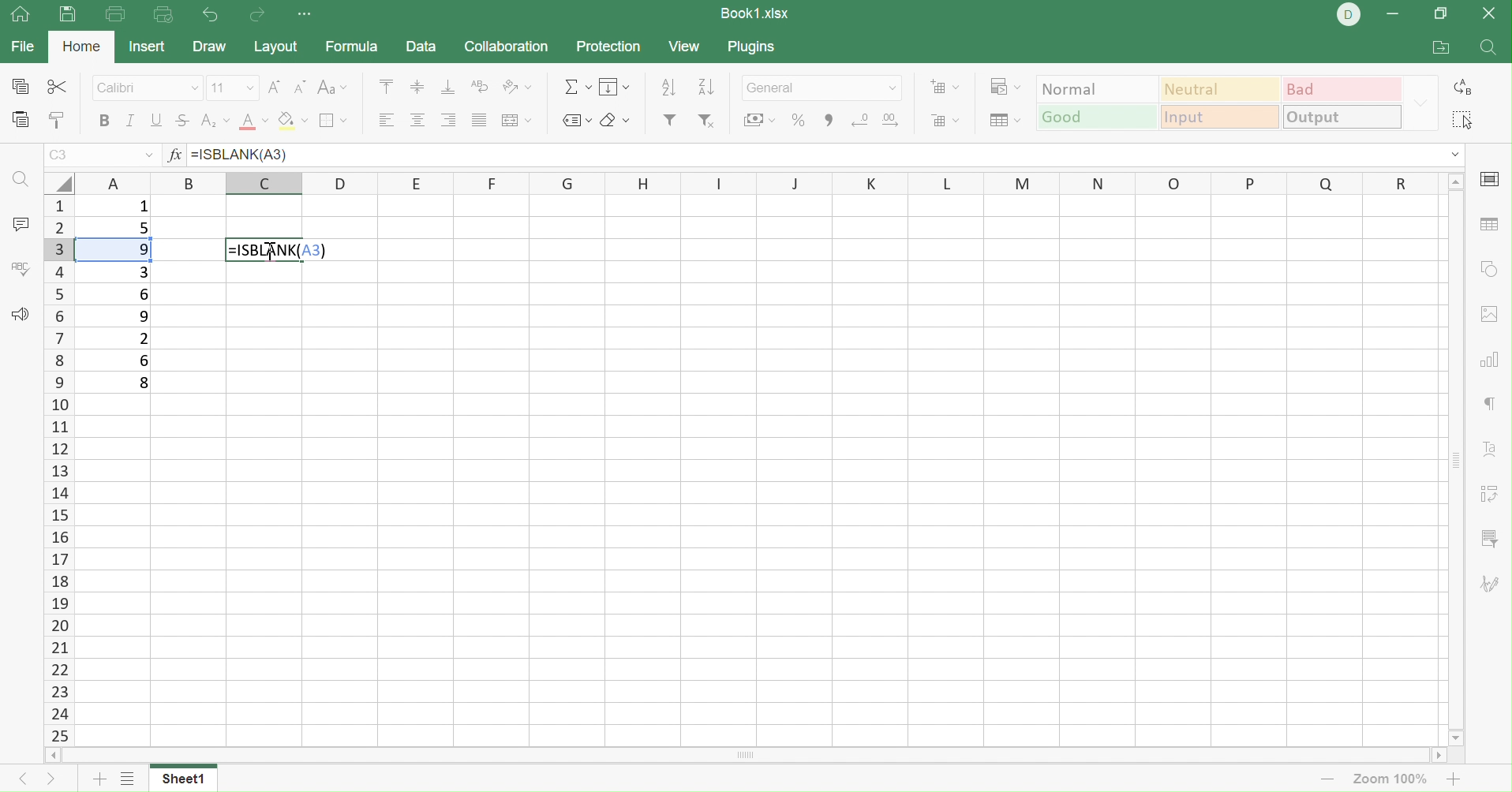 The height and width of the screenshot is (792, 1512). What do you see at coordinates (232, 88) in the screenshot?
I see `Font size` at bounding box center [232, 88].